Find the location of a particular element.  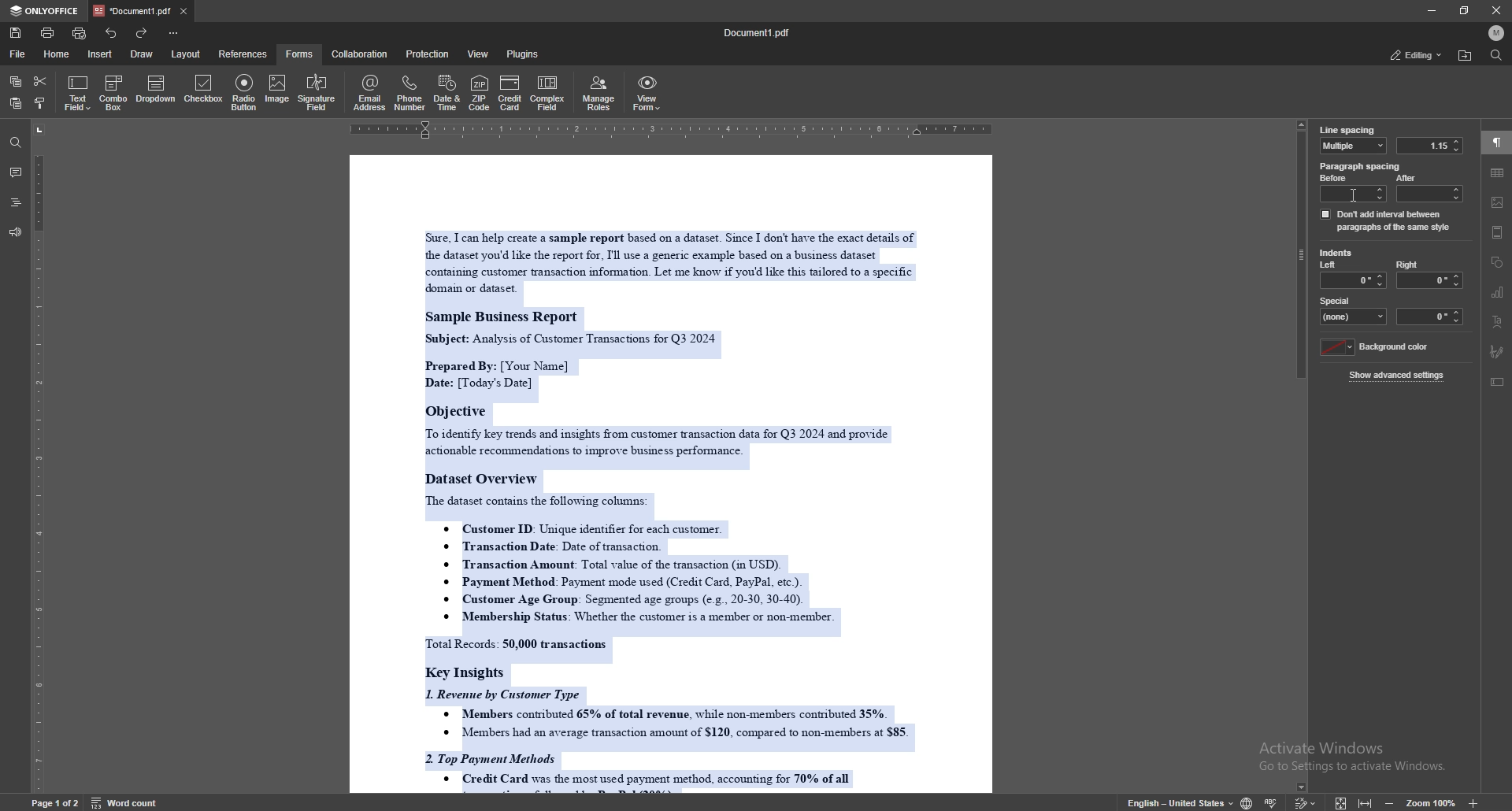

find is located at coordinates (1496, 55).